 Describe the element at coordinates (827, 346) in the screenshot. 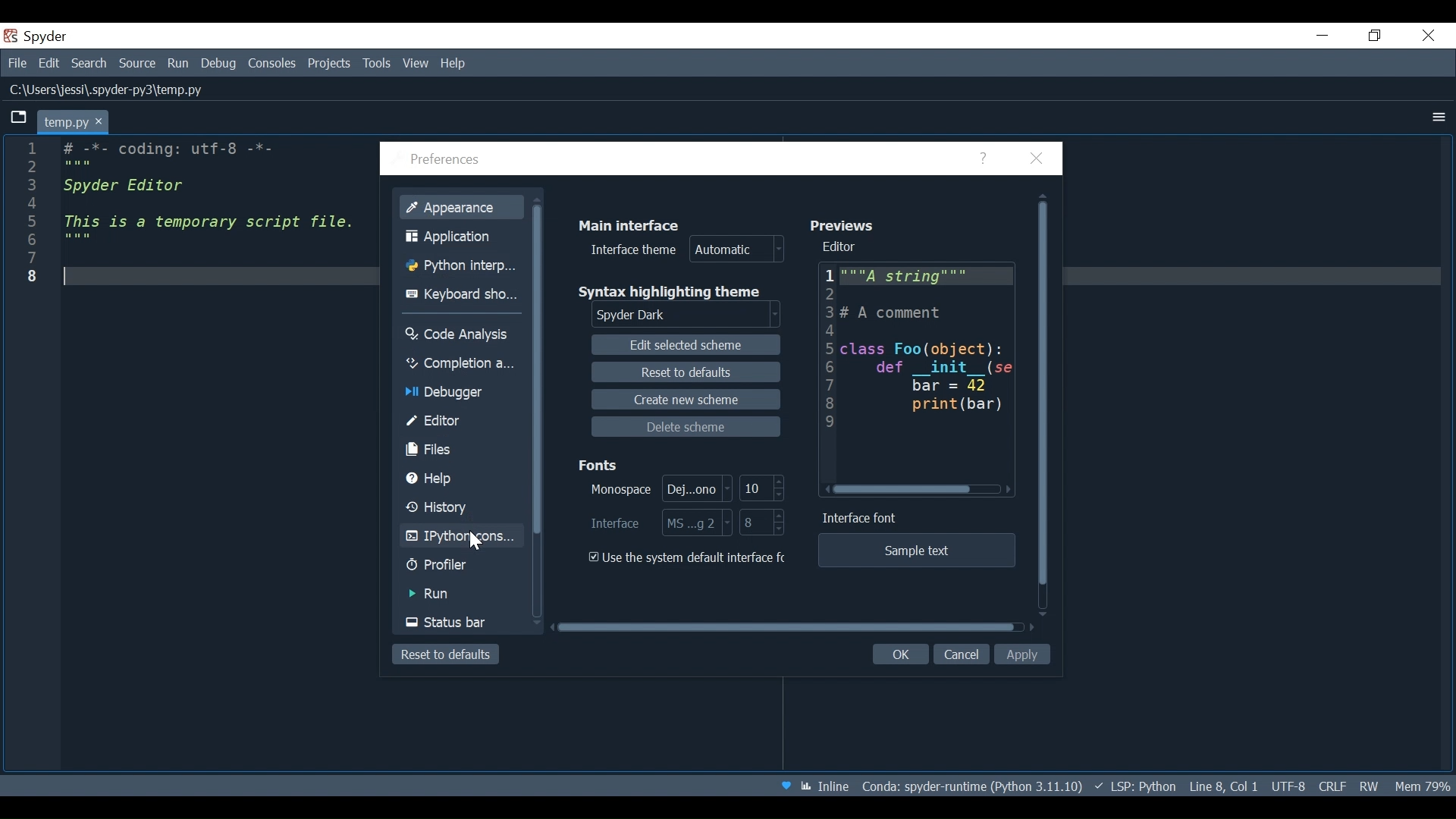

I see `` at that location.